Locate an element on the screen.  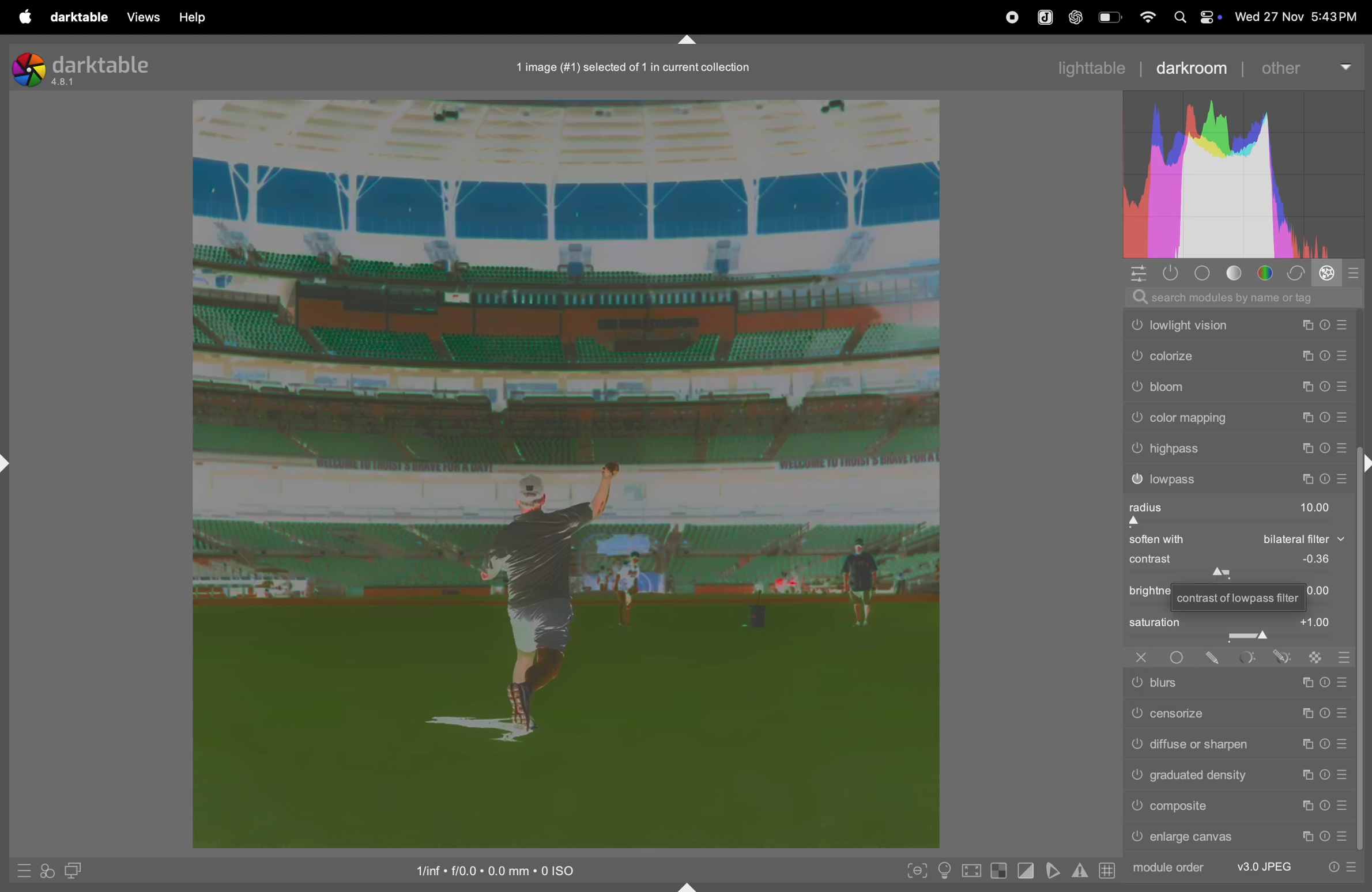
low light vision is located at coordinates (1238, 325).